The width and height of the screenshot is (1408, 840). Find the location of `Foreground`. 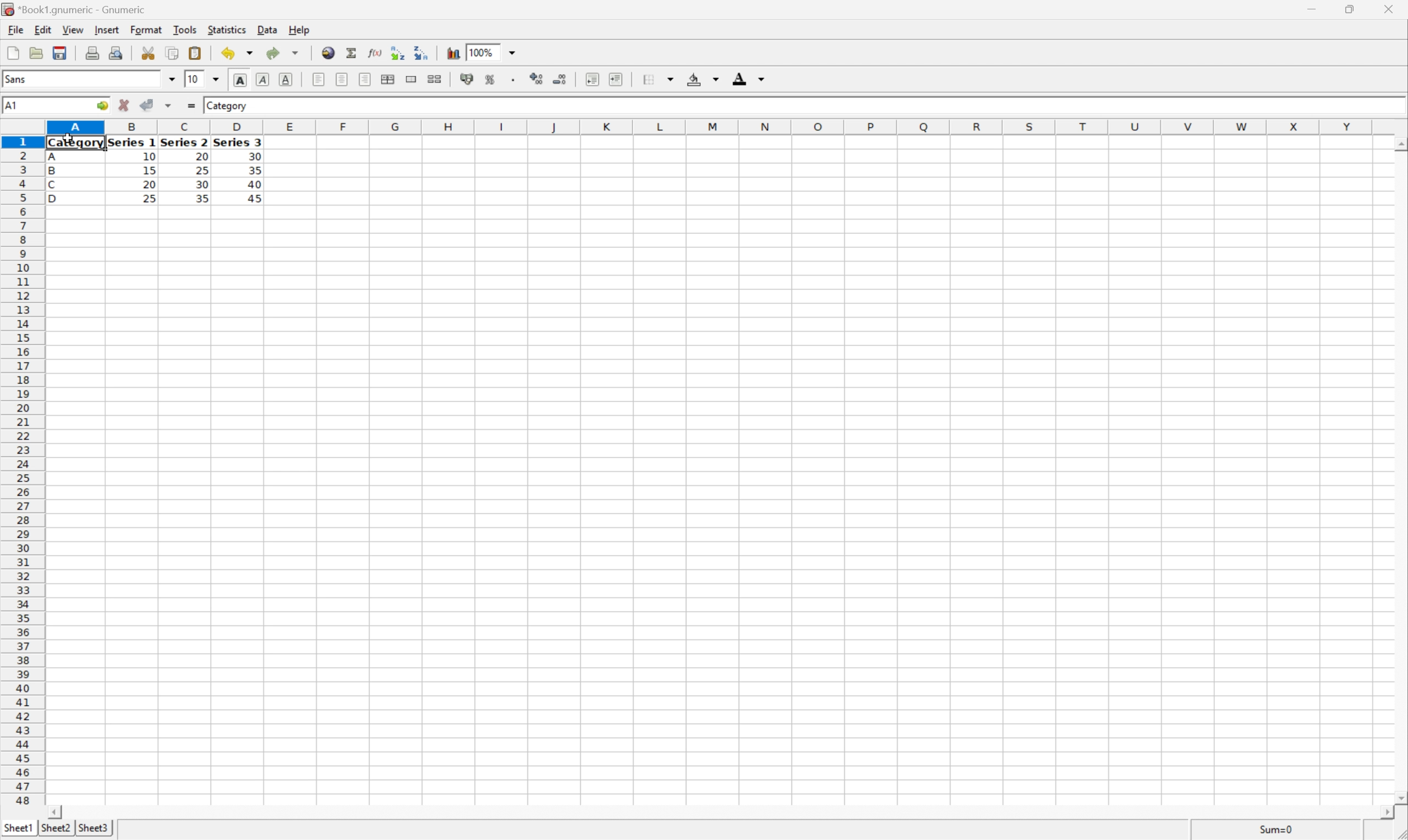

Foreground is located at coordinates (747, 77).